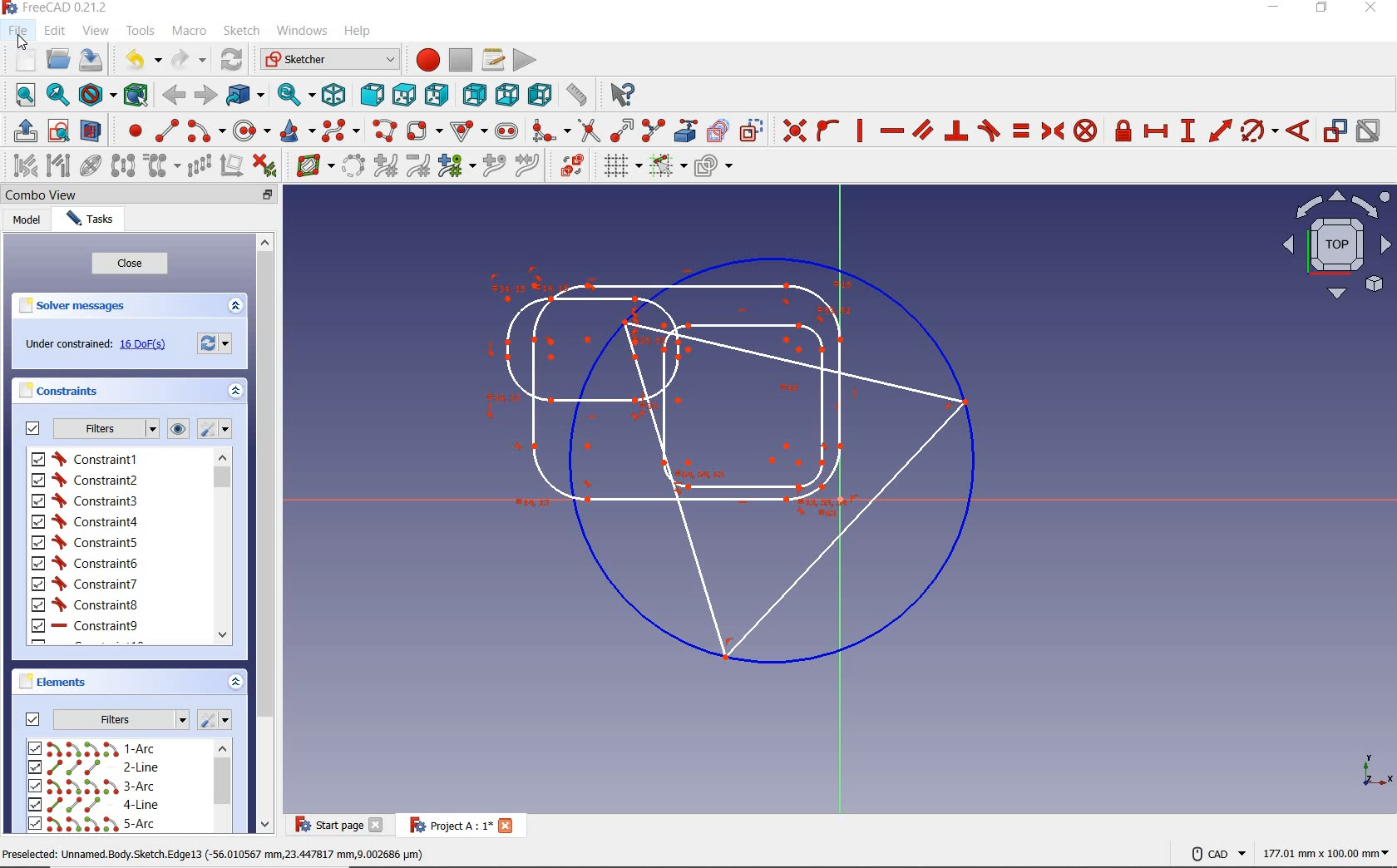 The width and height of the screenshot is (1397, 868). What do you see at coordinates (665, 167) in the screenshot?
I see `toggle snap` at bounding box center [665, 167].